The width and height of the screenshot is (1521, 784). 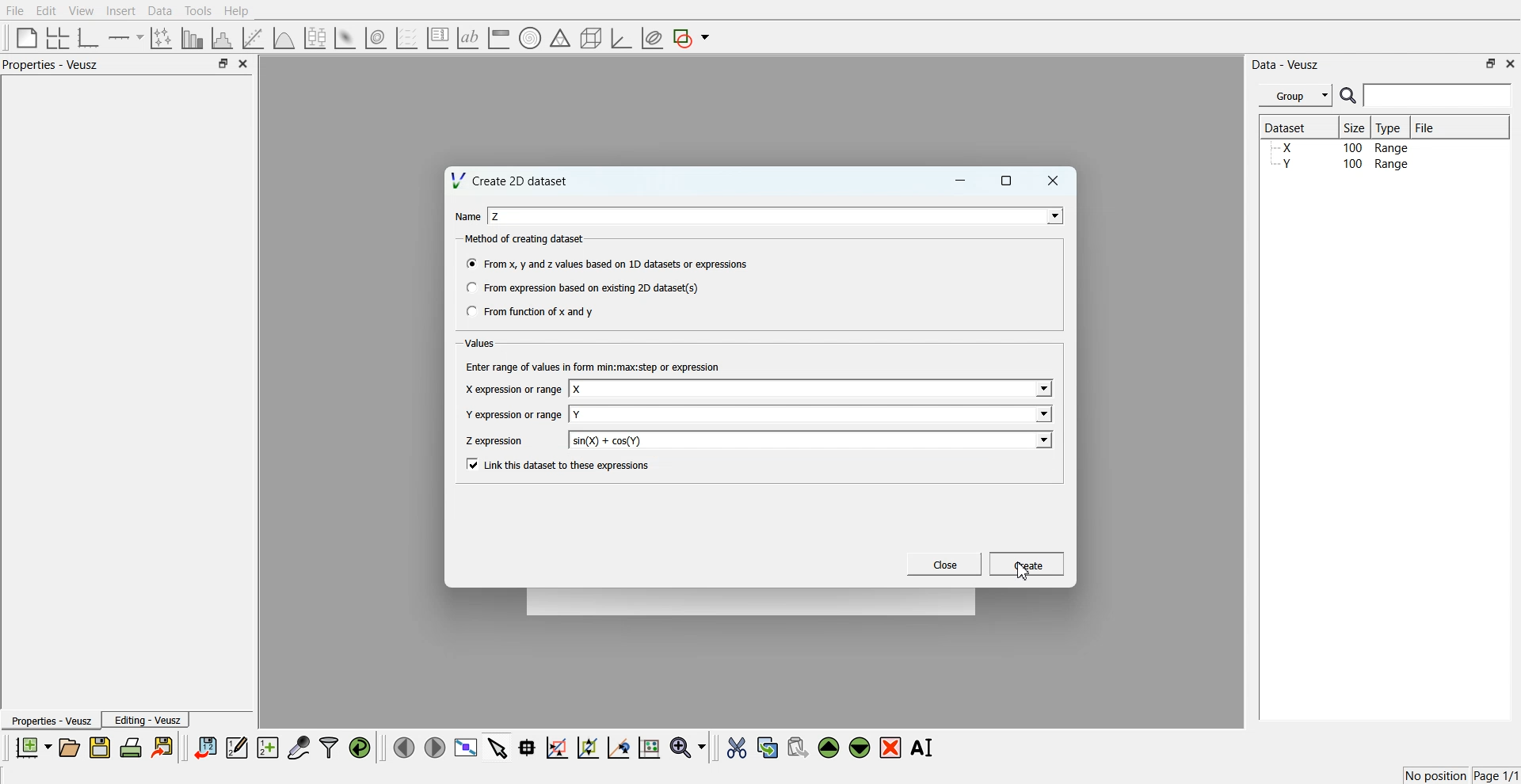 What do you see at coordinates (284, 38) in the screenshot?
I see `3D Function` at bounding box center [284, 38].